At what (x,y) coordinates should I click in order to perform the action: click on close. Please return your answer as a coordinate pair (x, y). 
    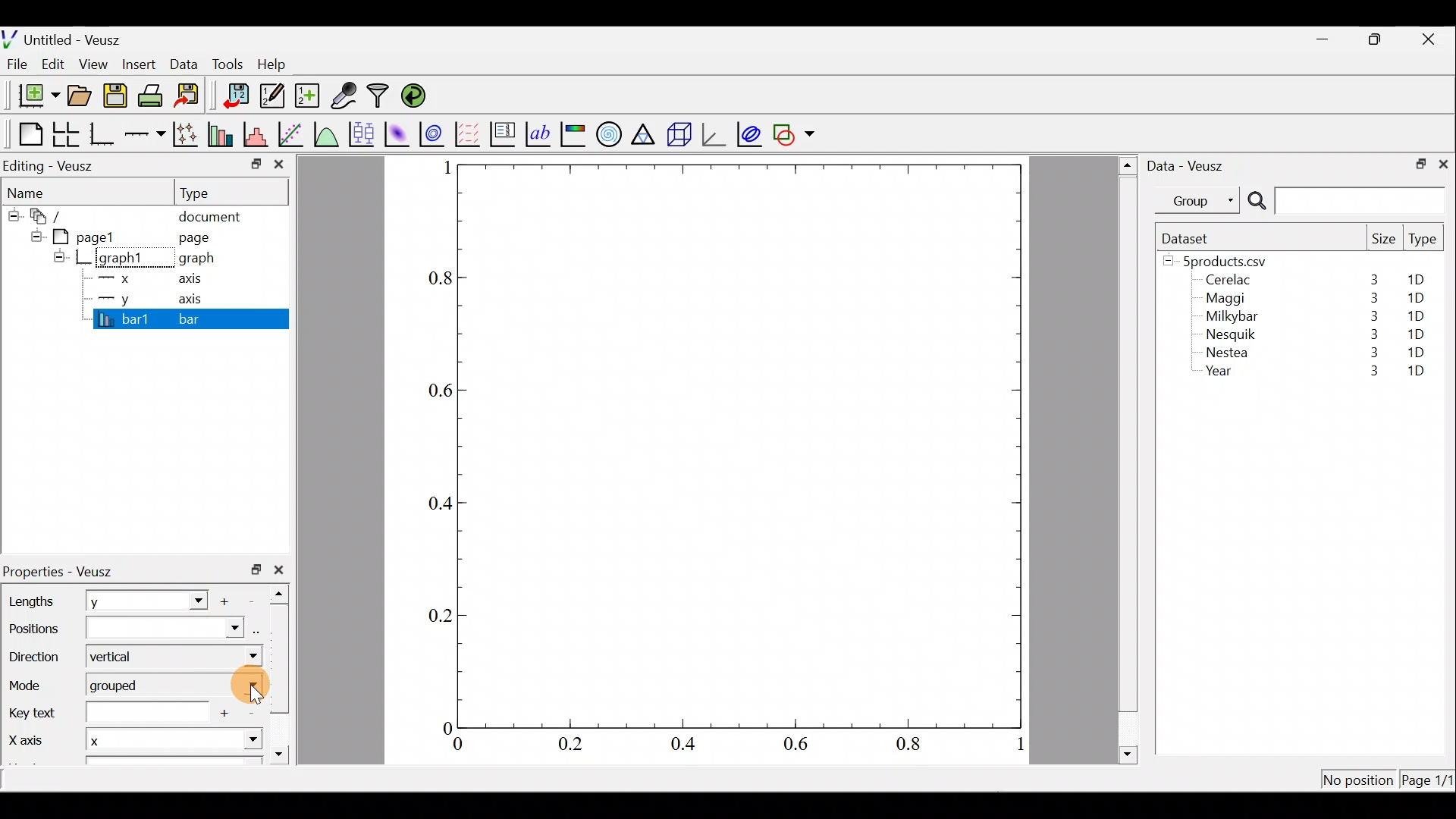
    Looking at the image, I should click on (1443, 163).